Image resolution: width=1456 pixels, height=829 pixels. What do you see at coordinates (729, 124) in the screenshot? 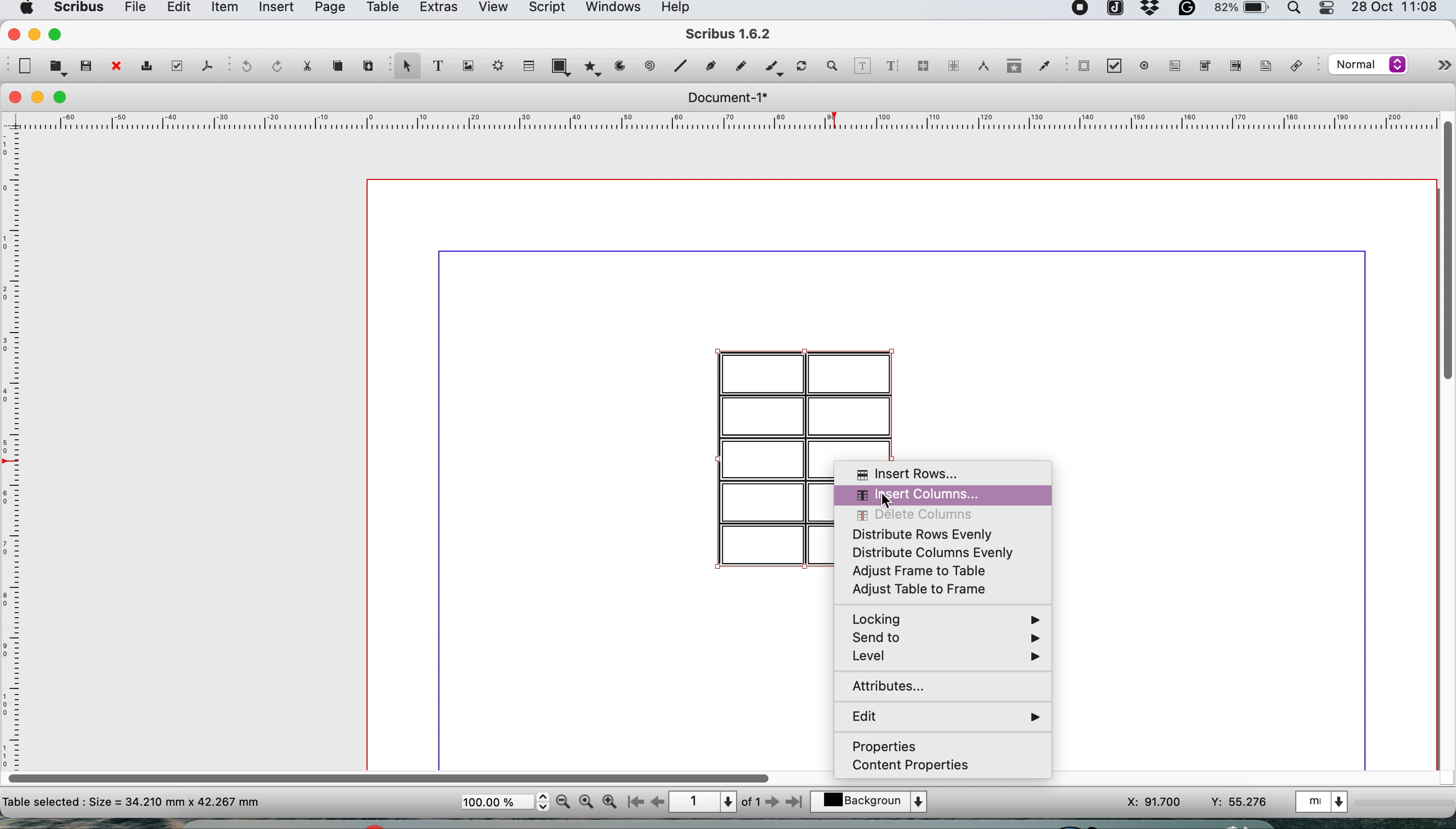
I see `horizontal scale` at bounding box center [729, 124].